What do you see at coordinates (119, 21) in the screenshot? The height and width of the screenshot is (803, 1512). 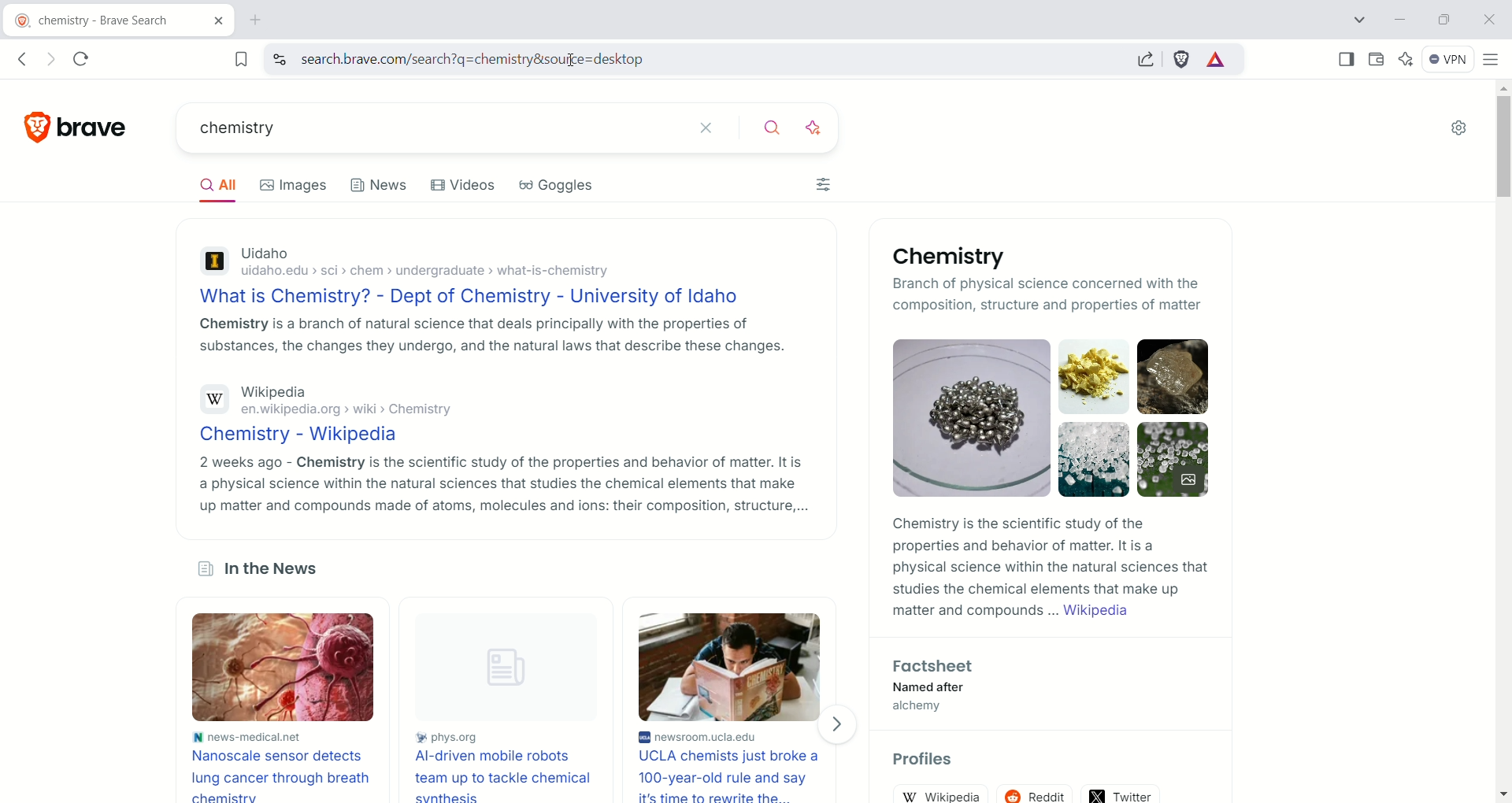 I see `chemistry - Brave Search` at bounding box center [119, 21].